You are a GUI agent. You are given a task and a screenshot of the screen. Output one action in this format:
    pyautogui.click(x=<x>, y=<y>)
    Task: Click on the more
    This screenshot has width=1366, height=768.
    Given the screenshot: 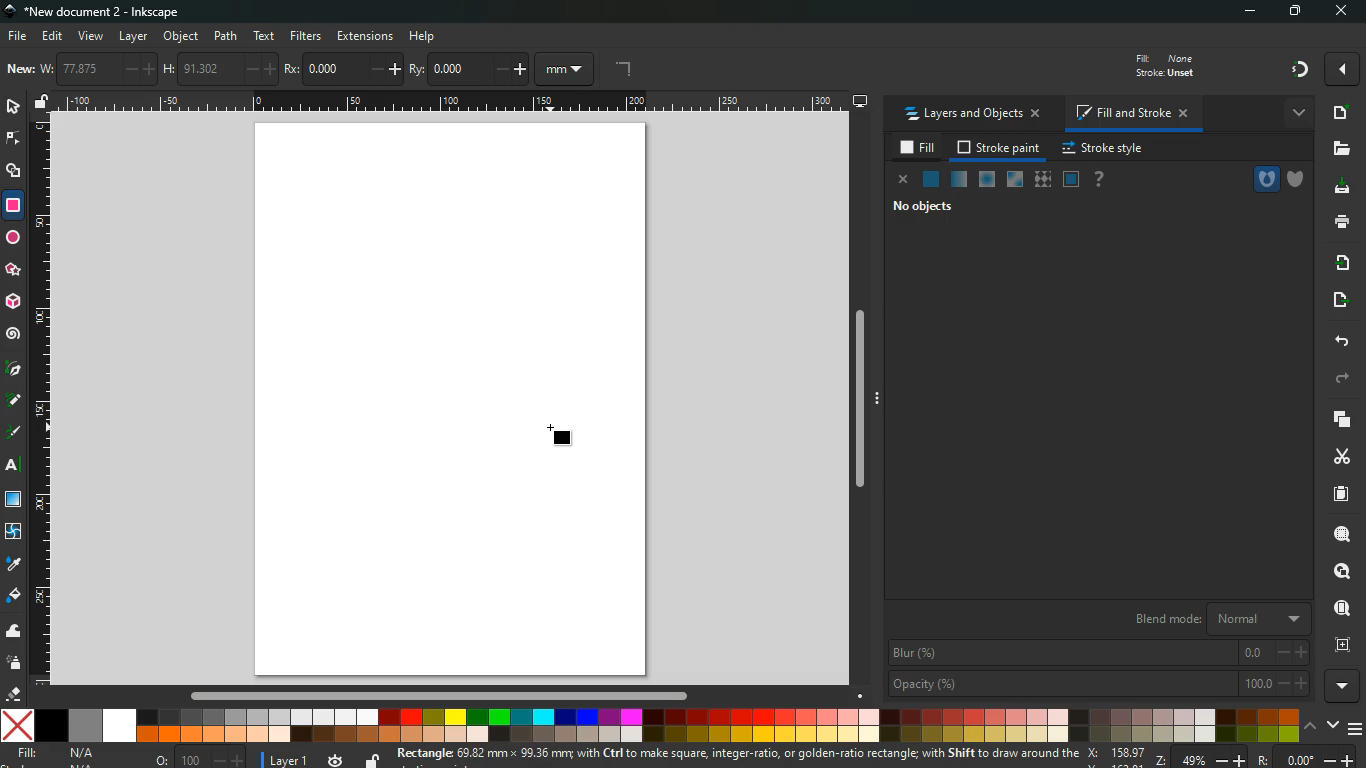 What is the action you would take?
    pyautogui.click(x=1341, y=686)
    